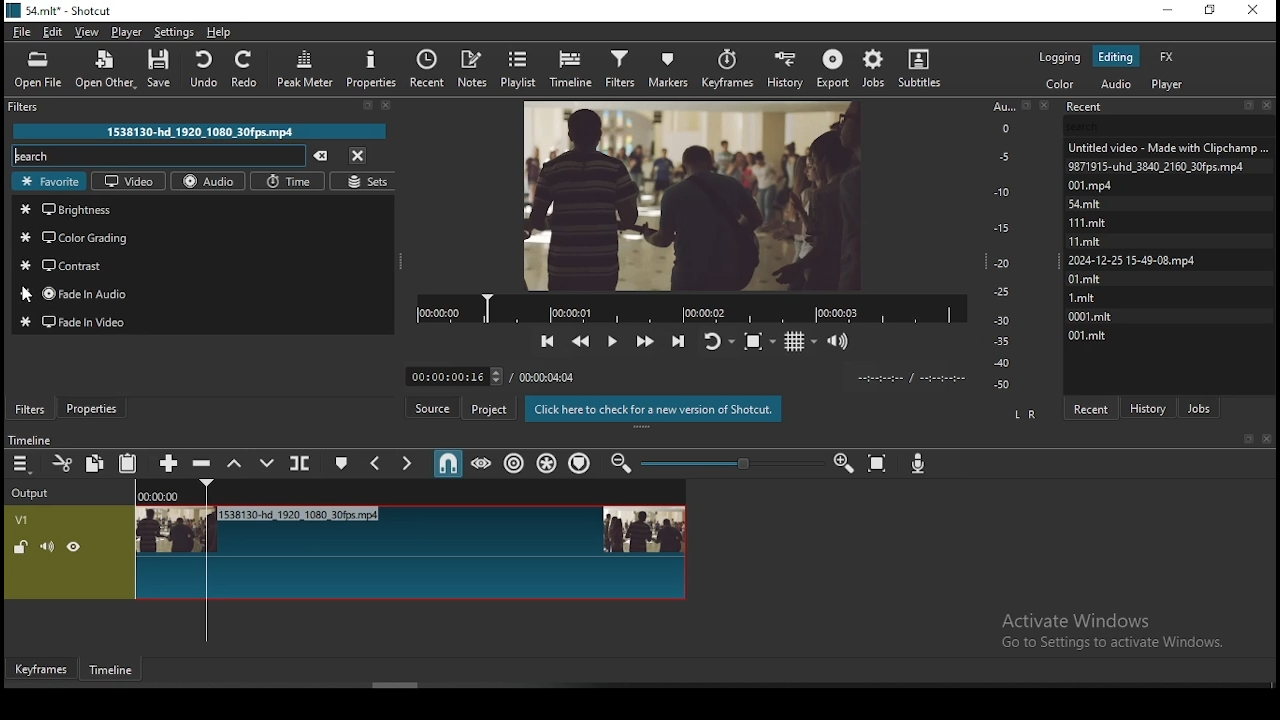 Image resolution: width=1280 pixels, height=720 pixels. Describe the element at coordinates (1087, 239) in the screenshot. I see `Mami` at that location.